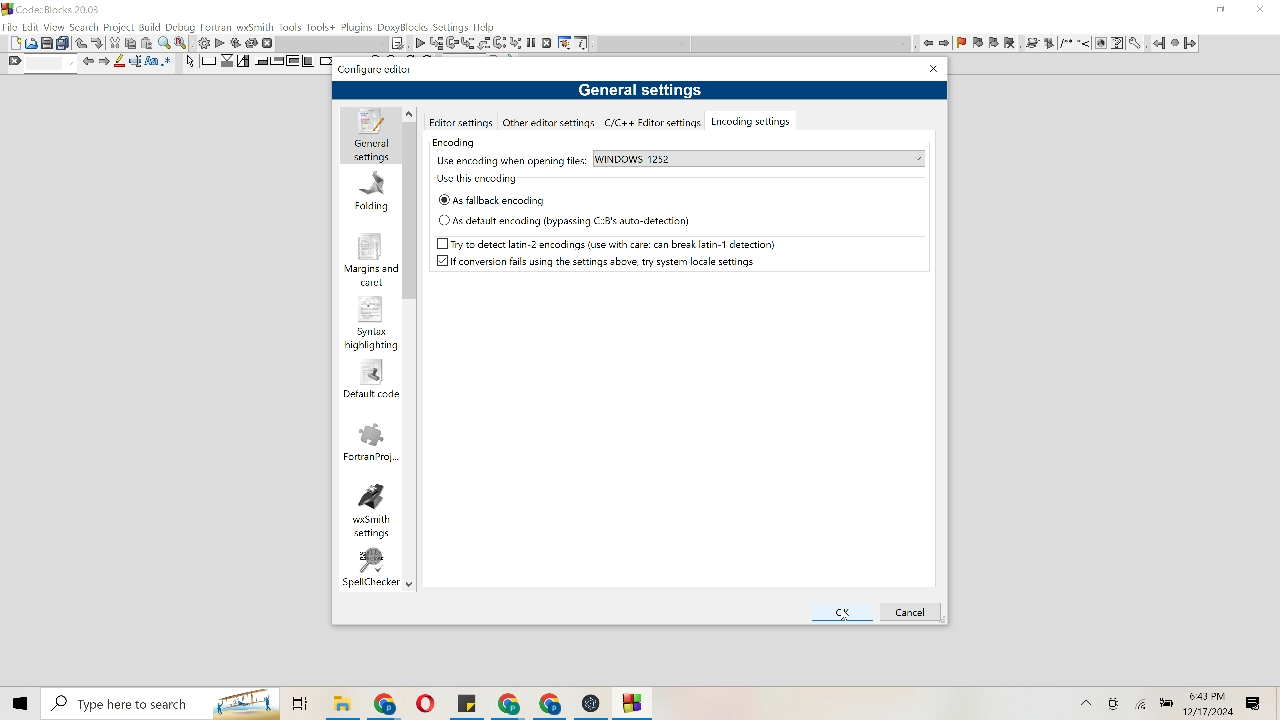  I want to click on Picture, so click(31, 42).